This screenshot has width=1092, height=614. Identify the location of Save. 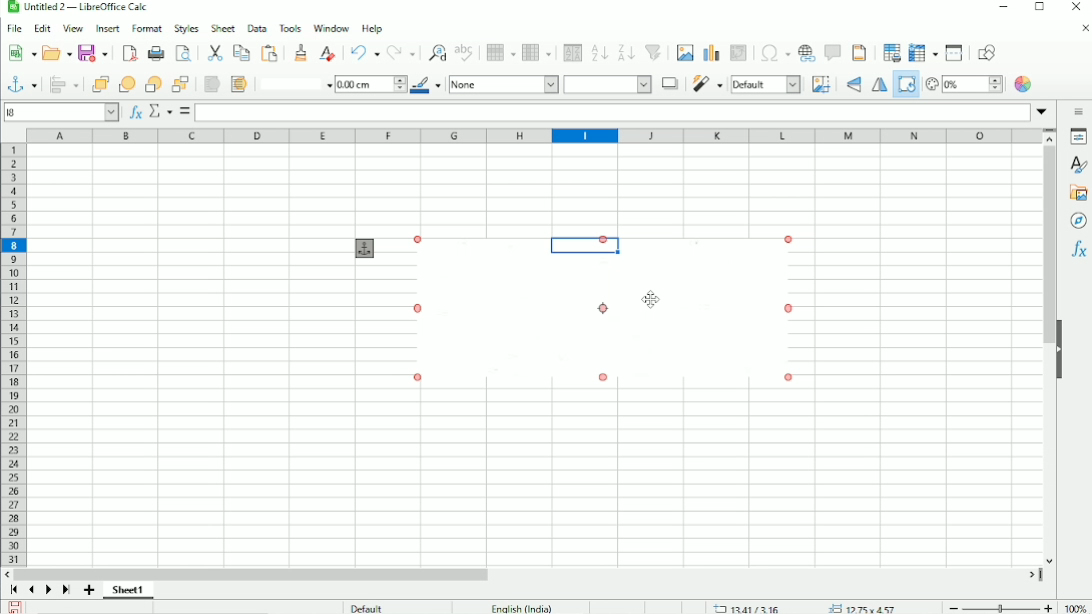
(15, 607).